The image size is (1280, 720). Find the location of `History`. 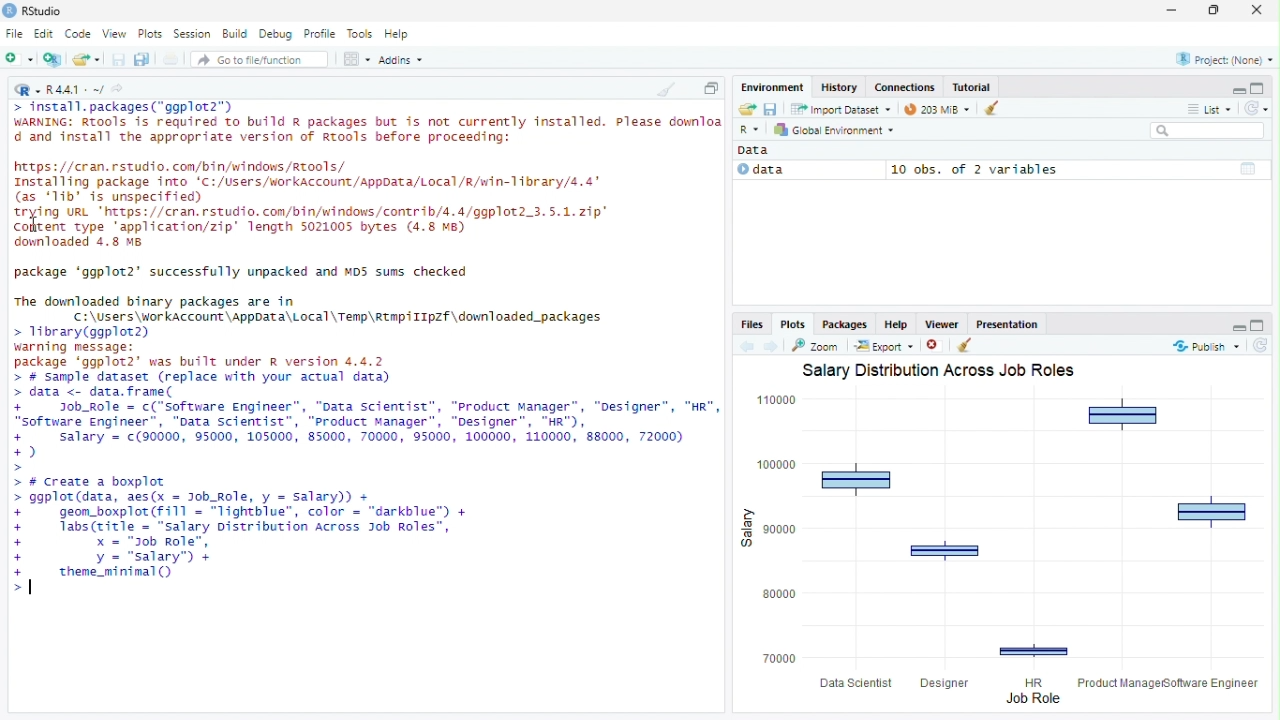

History is located at coordinates (837, 87).